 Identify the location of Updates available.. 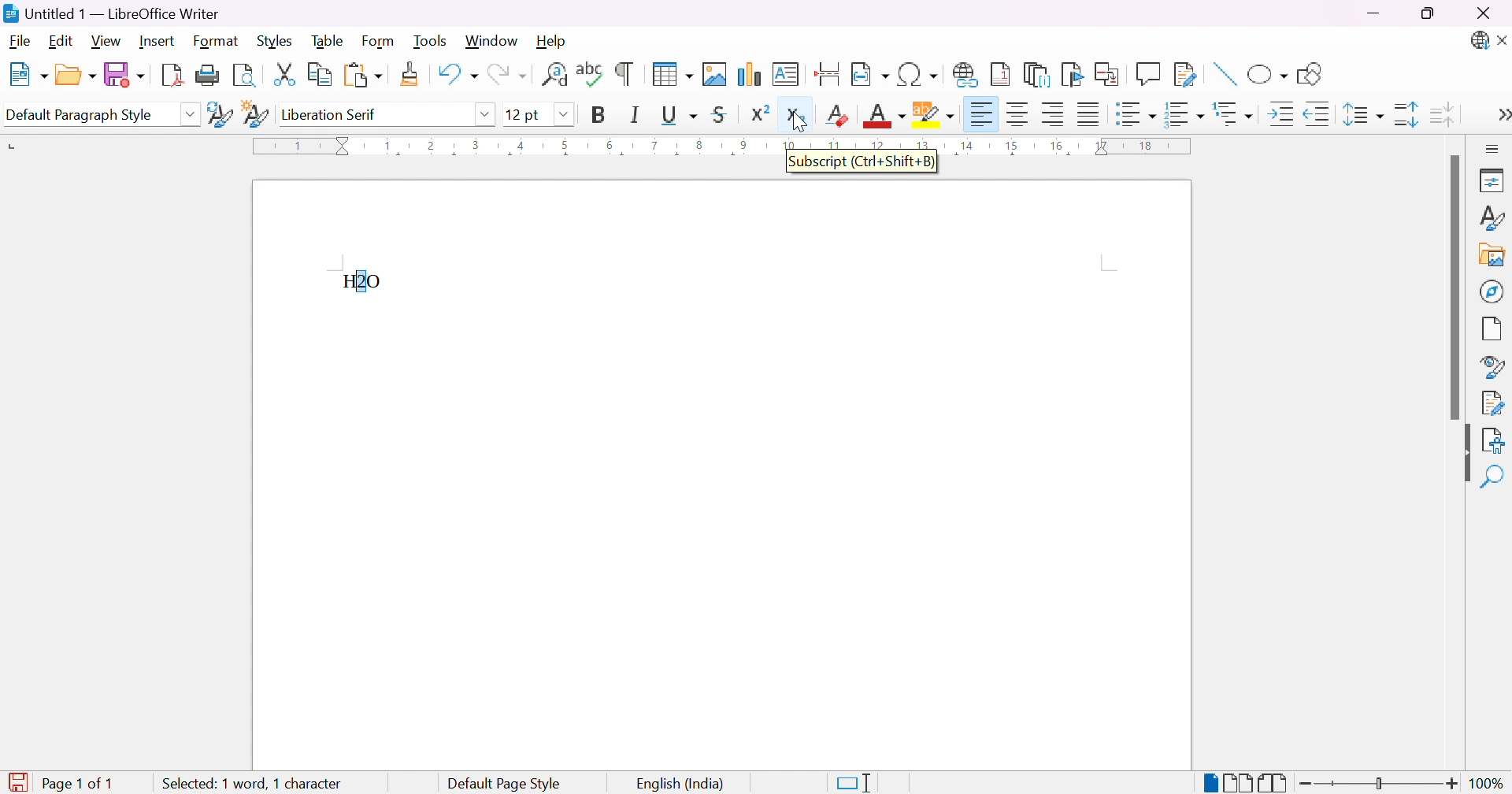
(1478, 41).